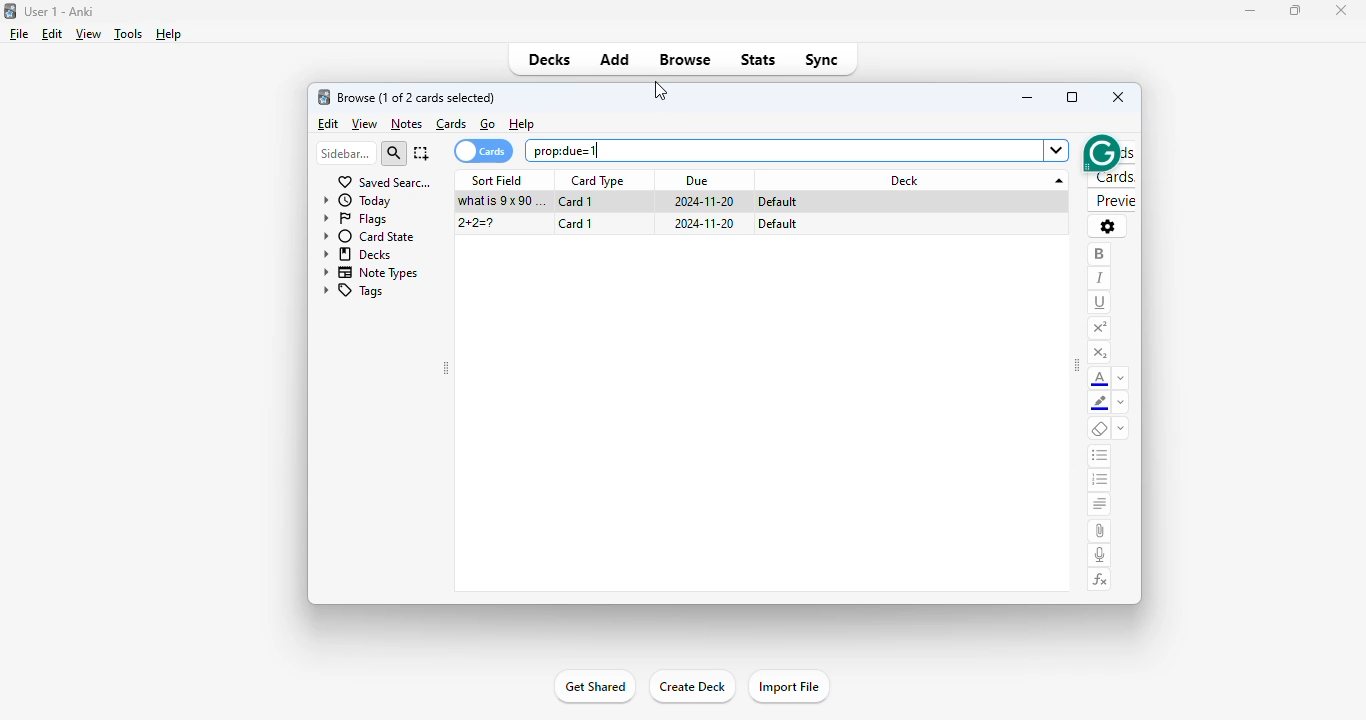  I want to click on tags, so click(352, 292).